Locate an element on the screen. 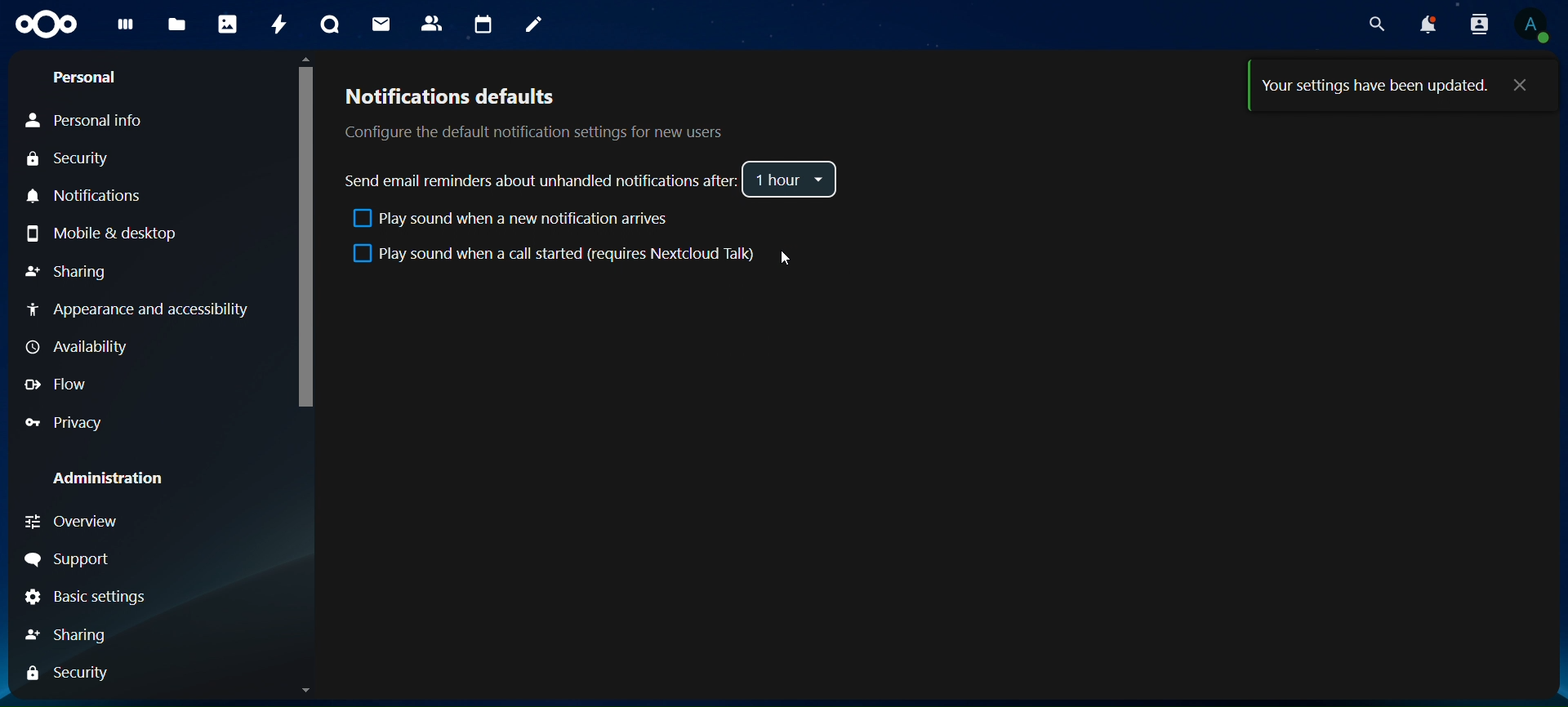  Scrollbar is located at coordinates (303, 375).